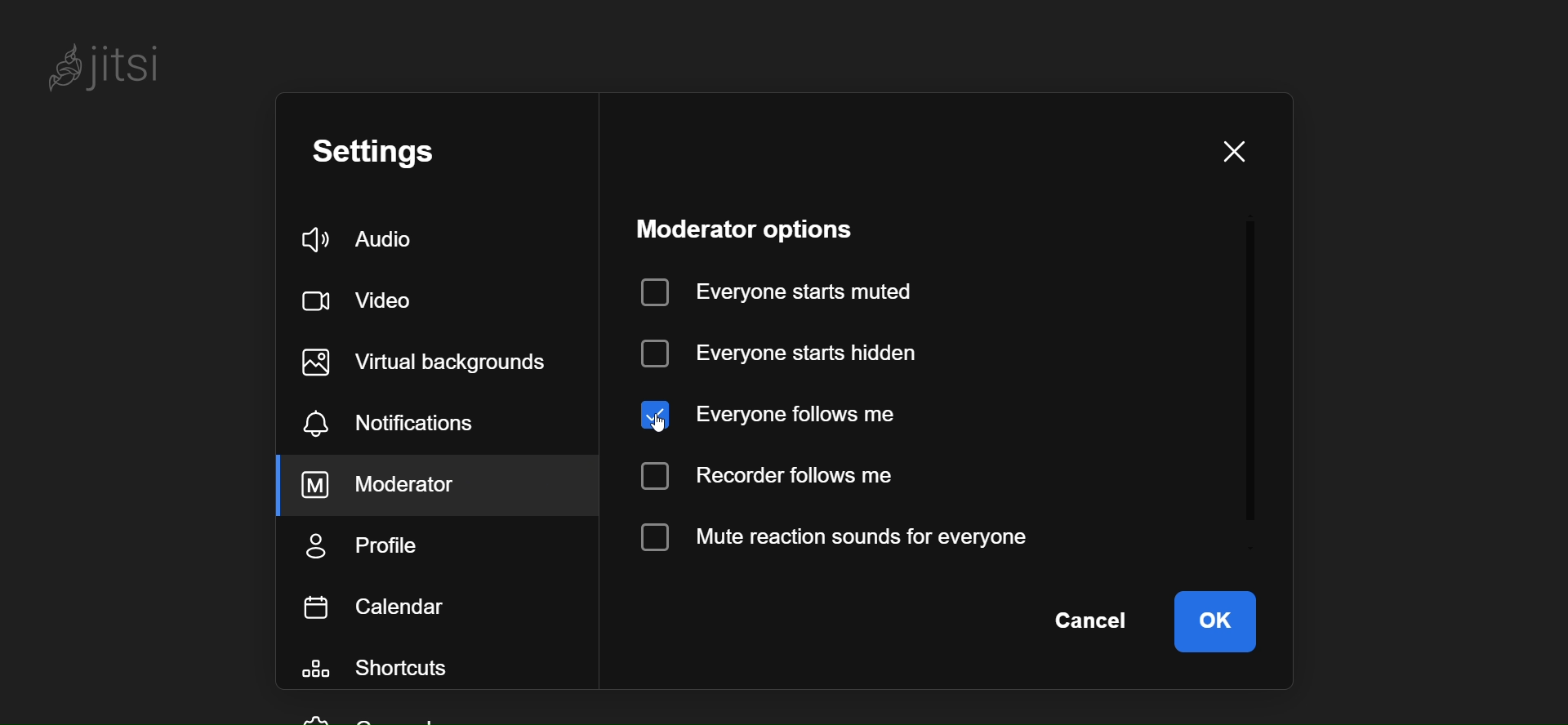  Describe the element at coordinates (666, 418) in the screenshot. I see `cursor` at that location.